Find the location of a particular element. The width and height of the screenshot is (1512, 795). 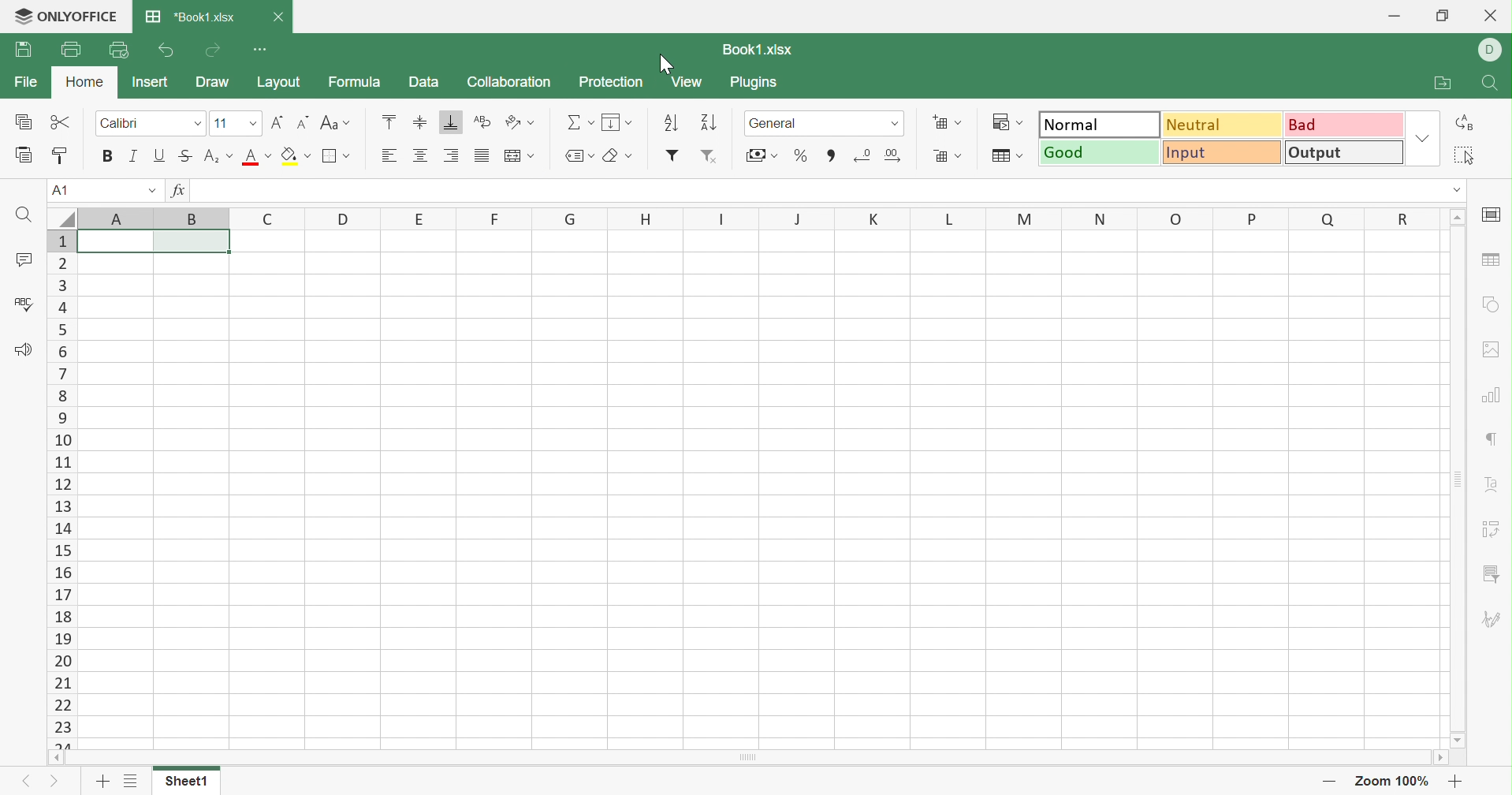

Drop Down is located at coordinates (895, 122).